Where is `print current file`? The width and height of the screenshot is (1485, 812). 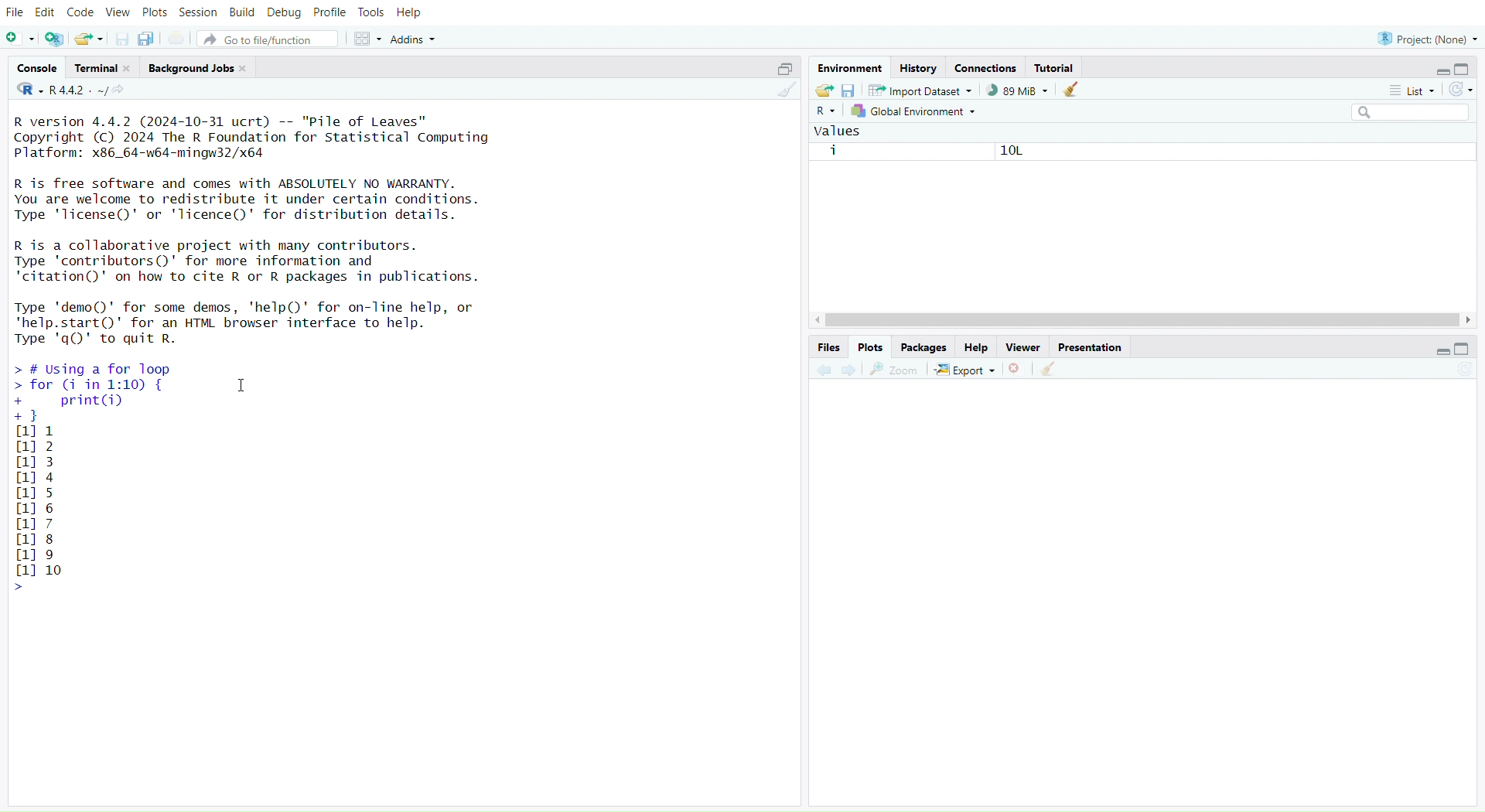
print current file is located at coordinates (177, 37).